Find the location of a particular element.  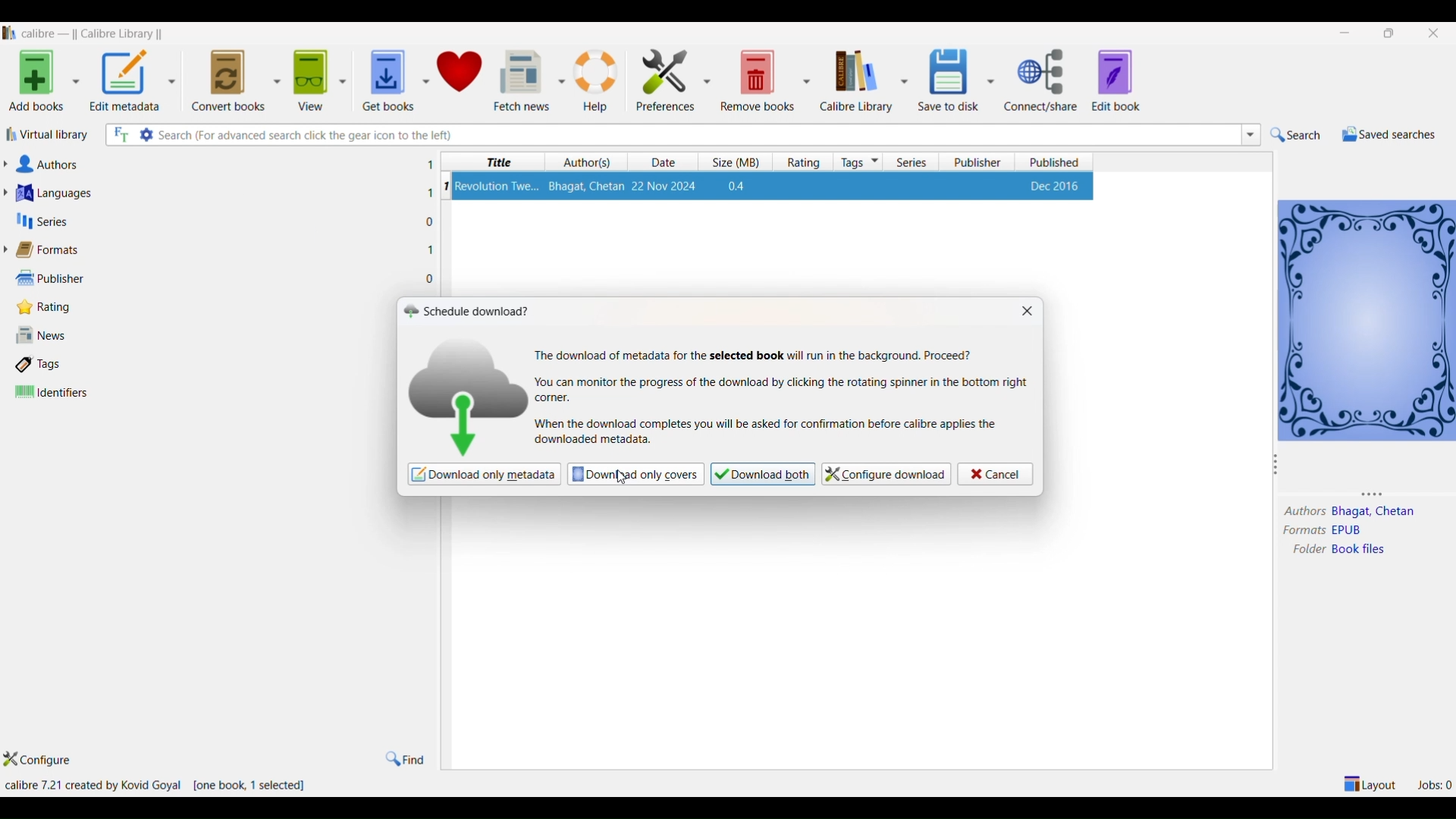

tags and number of tags is located at coordinates (45, 363).